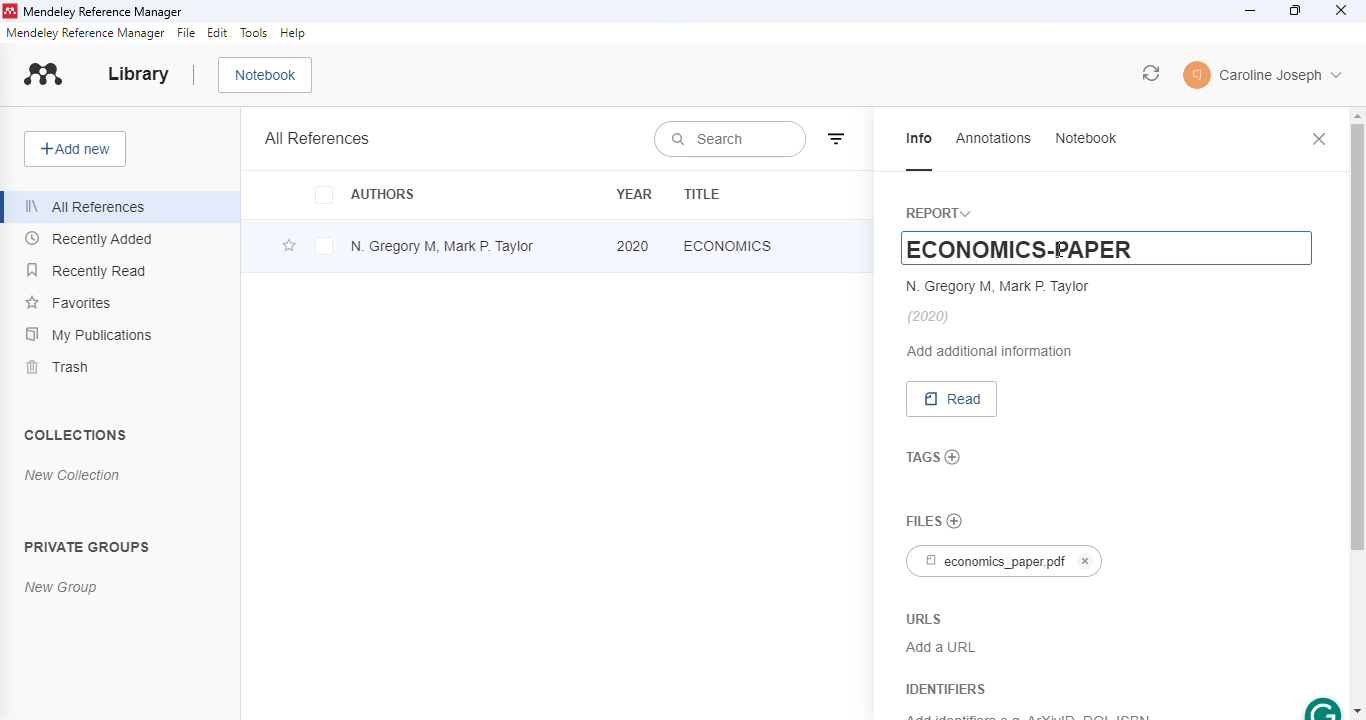  I want to click on tags, so click(920, 456).